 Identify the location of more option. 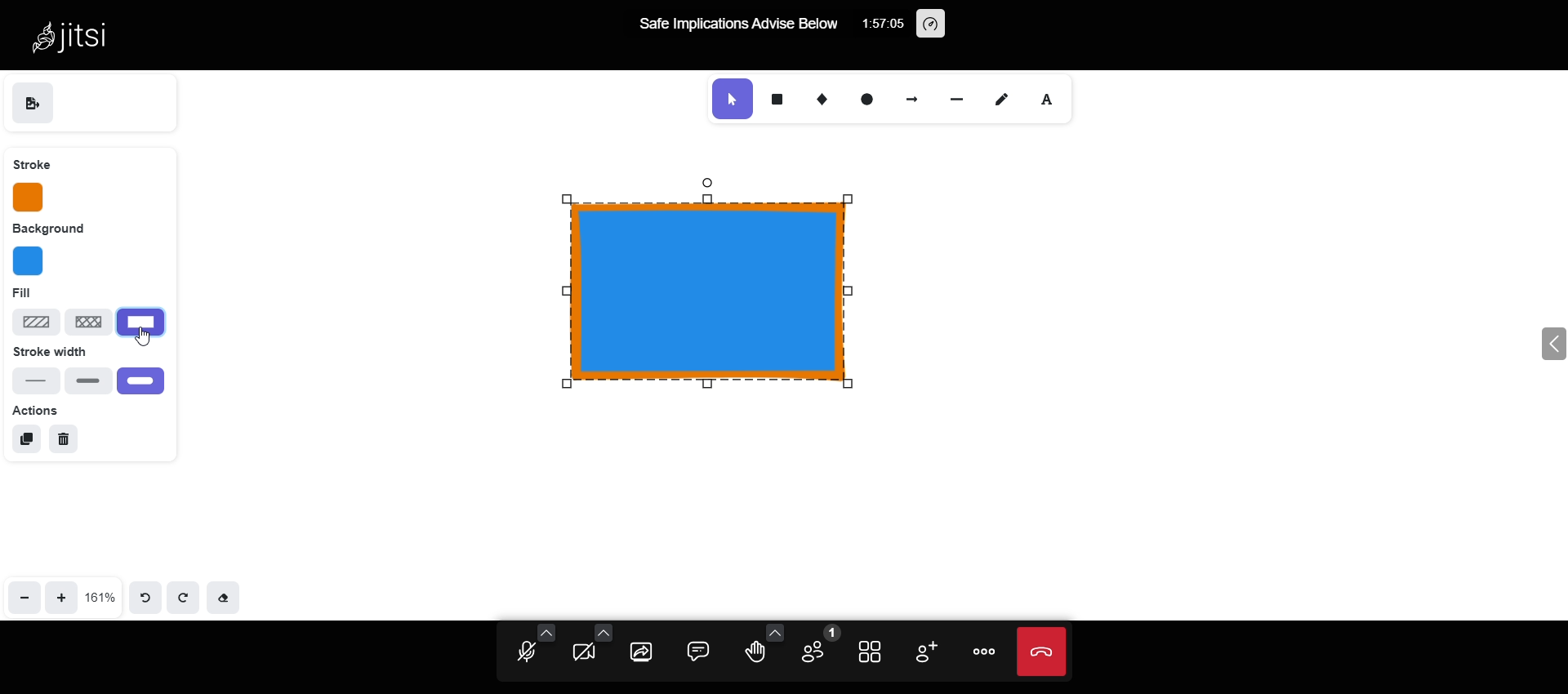
(980, 648).